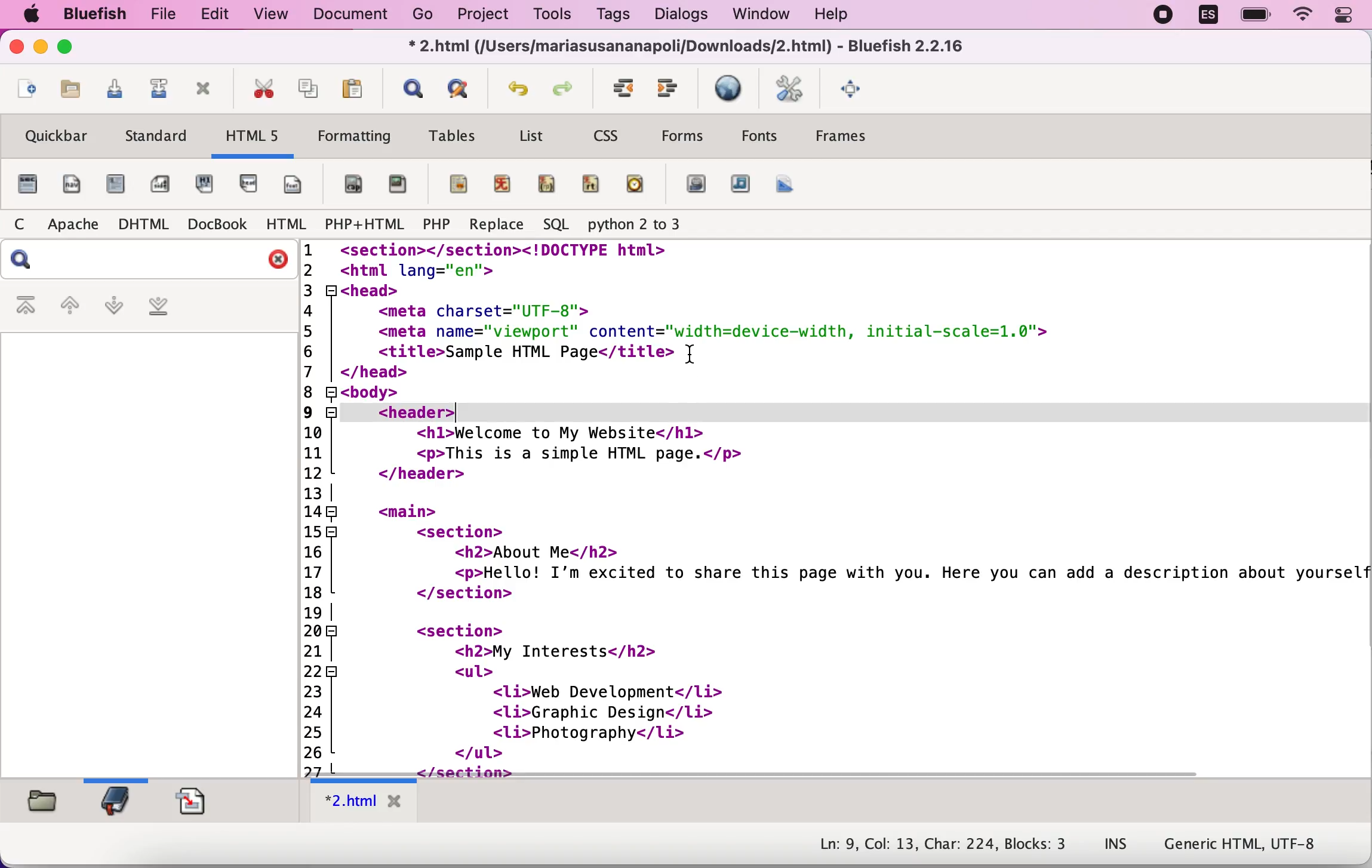 Image resolution: width=1372 pixels, height=868 pixels. What do you see at coordinates (622, 88) in the screenshot?
I see `unindent` at bounding box center [622, 88].